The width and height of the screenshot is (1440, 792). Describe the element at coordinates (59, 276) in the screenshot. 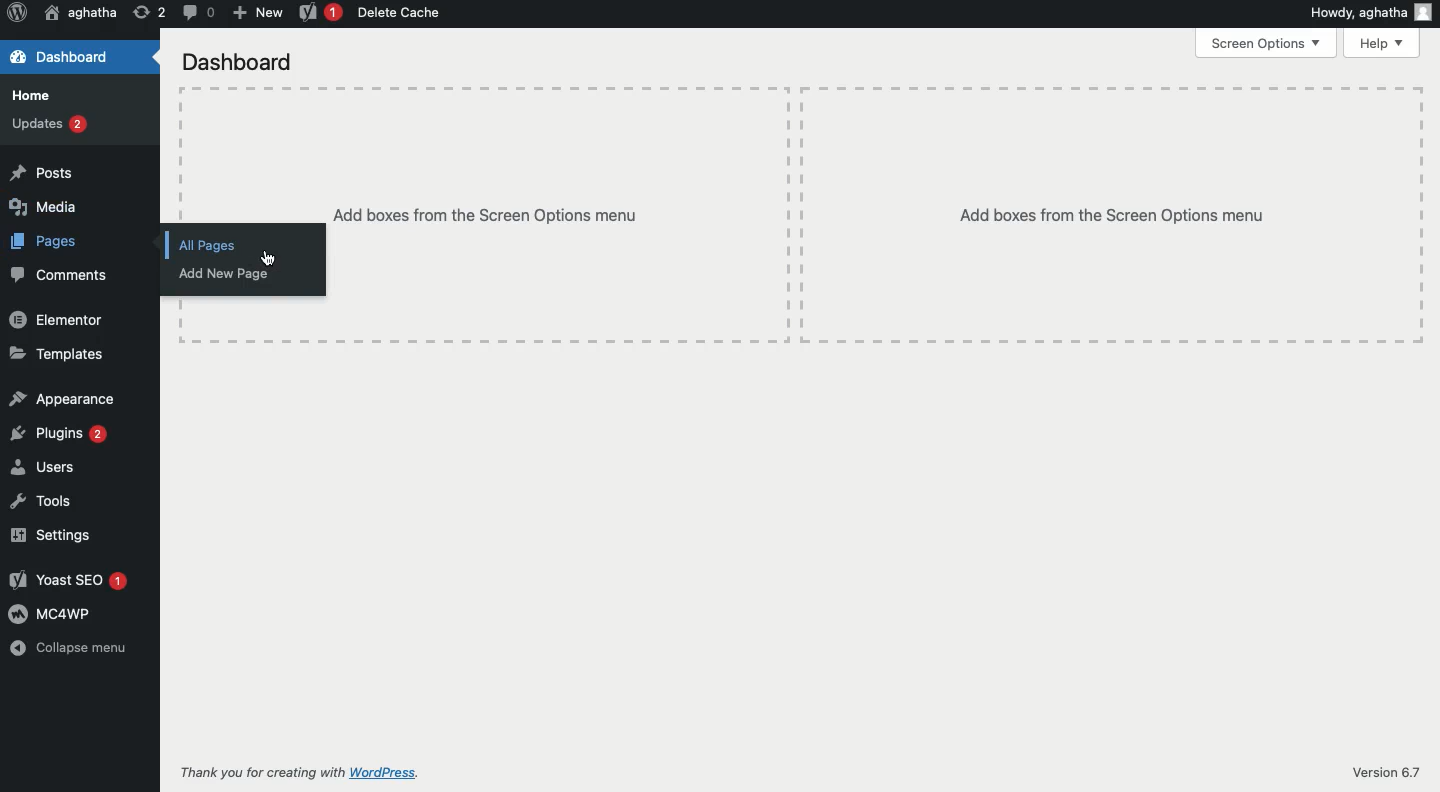

I see `Comments` at that location.